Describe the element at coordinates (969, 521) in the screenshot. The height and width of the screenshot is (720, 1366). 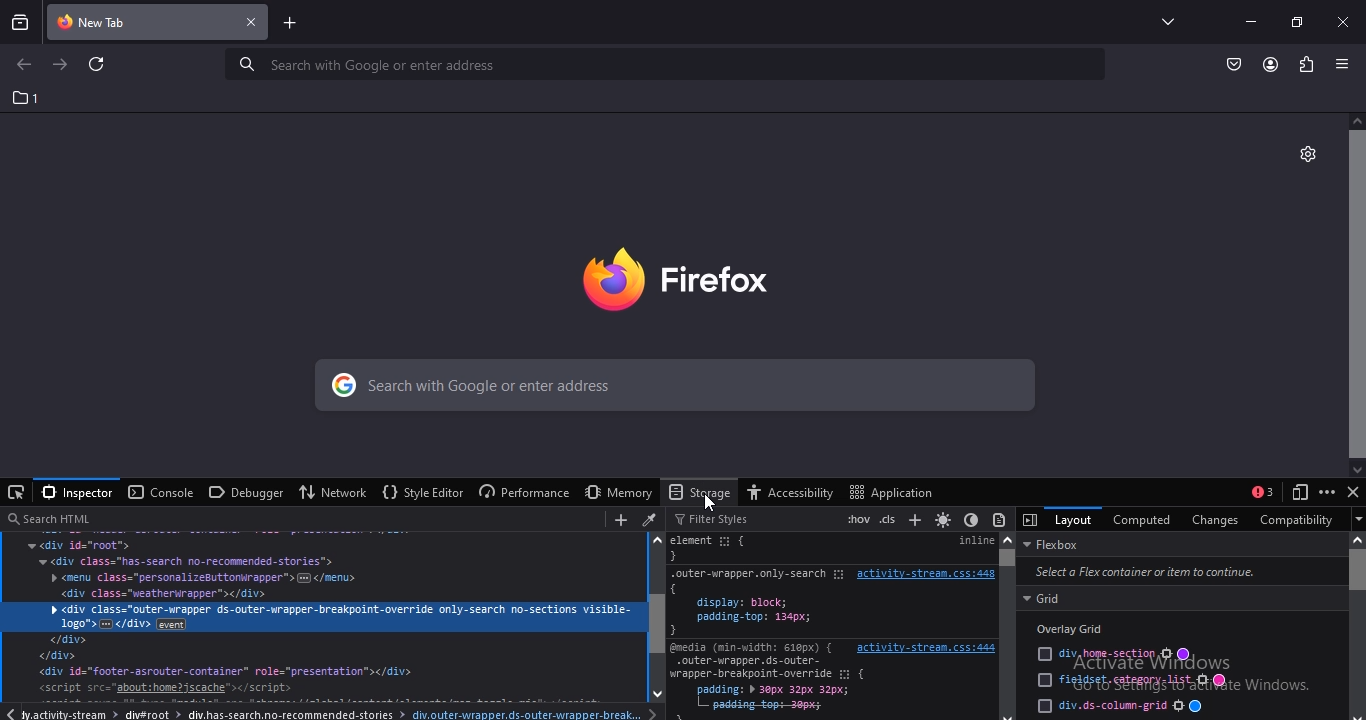
I see `toggle dark color scheme simulation for the page` at that location.